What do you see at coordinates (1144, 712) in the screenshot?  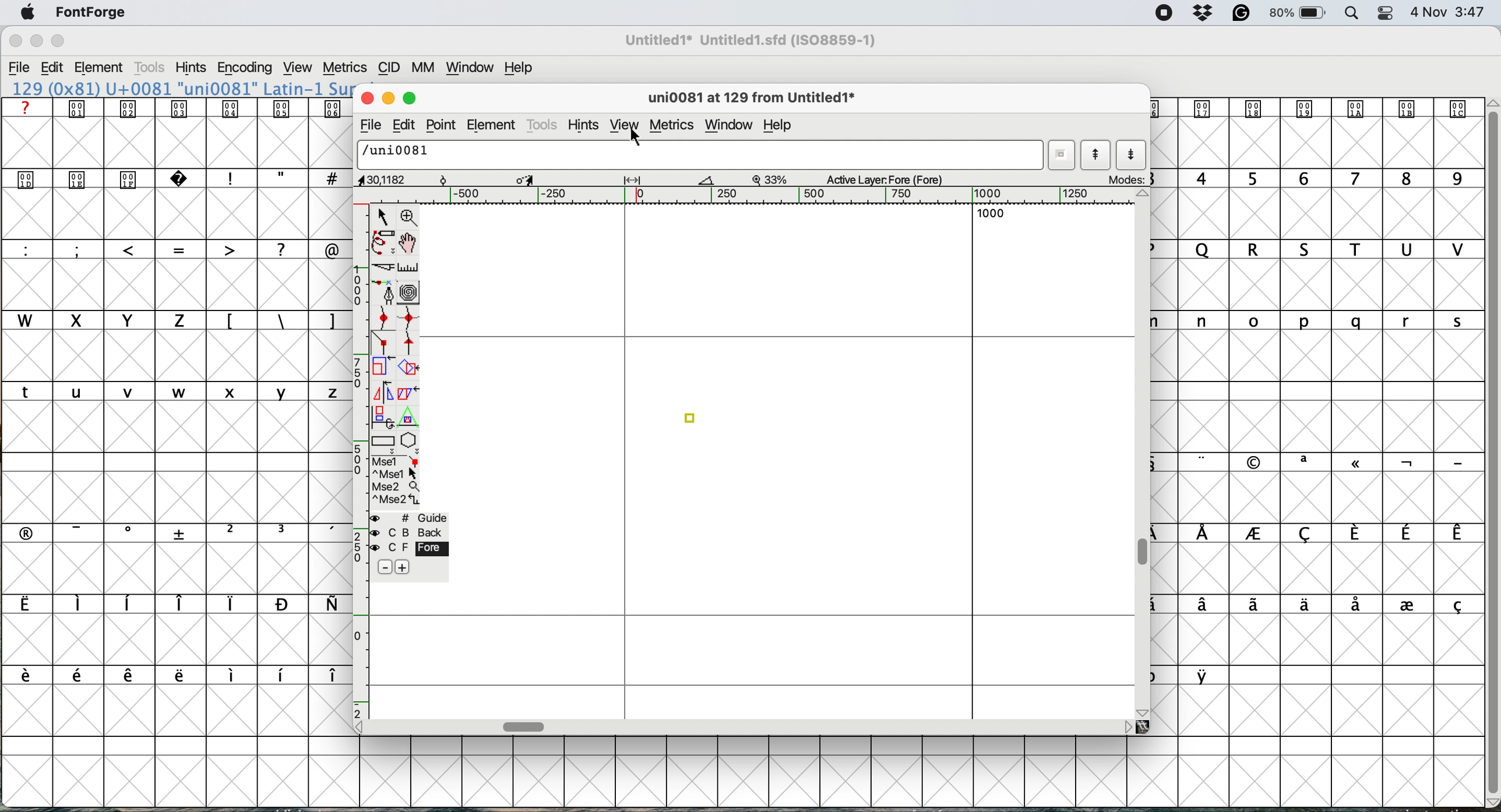 I see `Scroll Button` at bounding box center [1144, 712].